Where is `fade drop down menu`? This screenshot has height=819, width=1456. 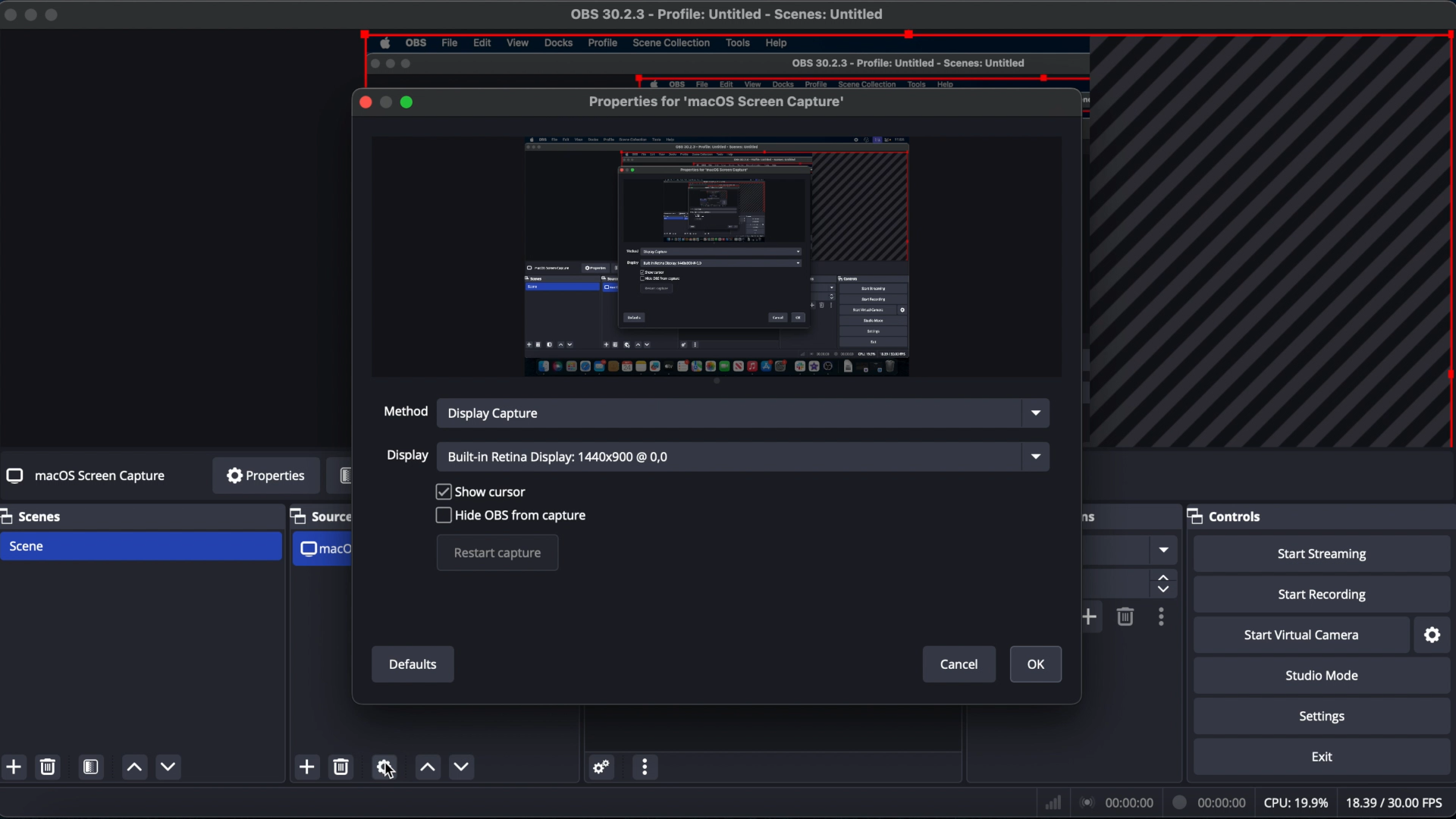
fade drop down menu is located at coordinates (1163, 549).